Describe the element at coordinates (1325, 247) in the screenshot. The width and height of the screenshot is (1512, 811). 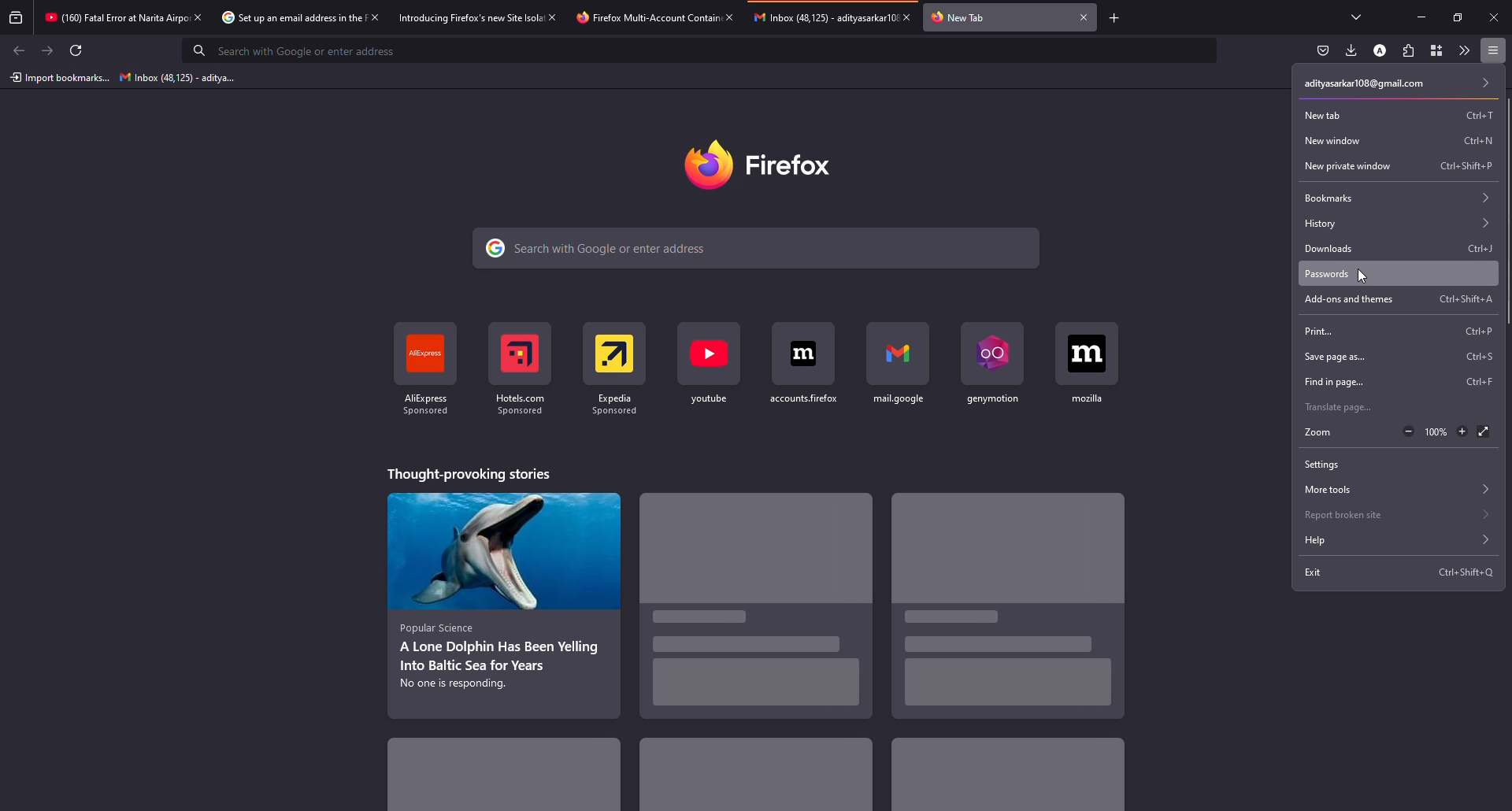
I see `downloads` at that location.